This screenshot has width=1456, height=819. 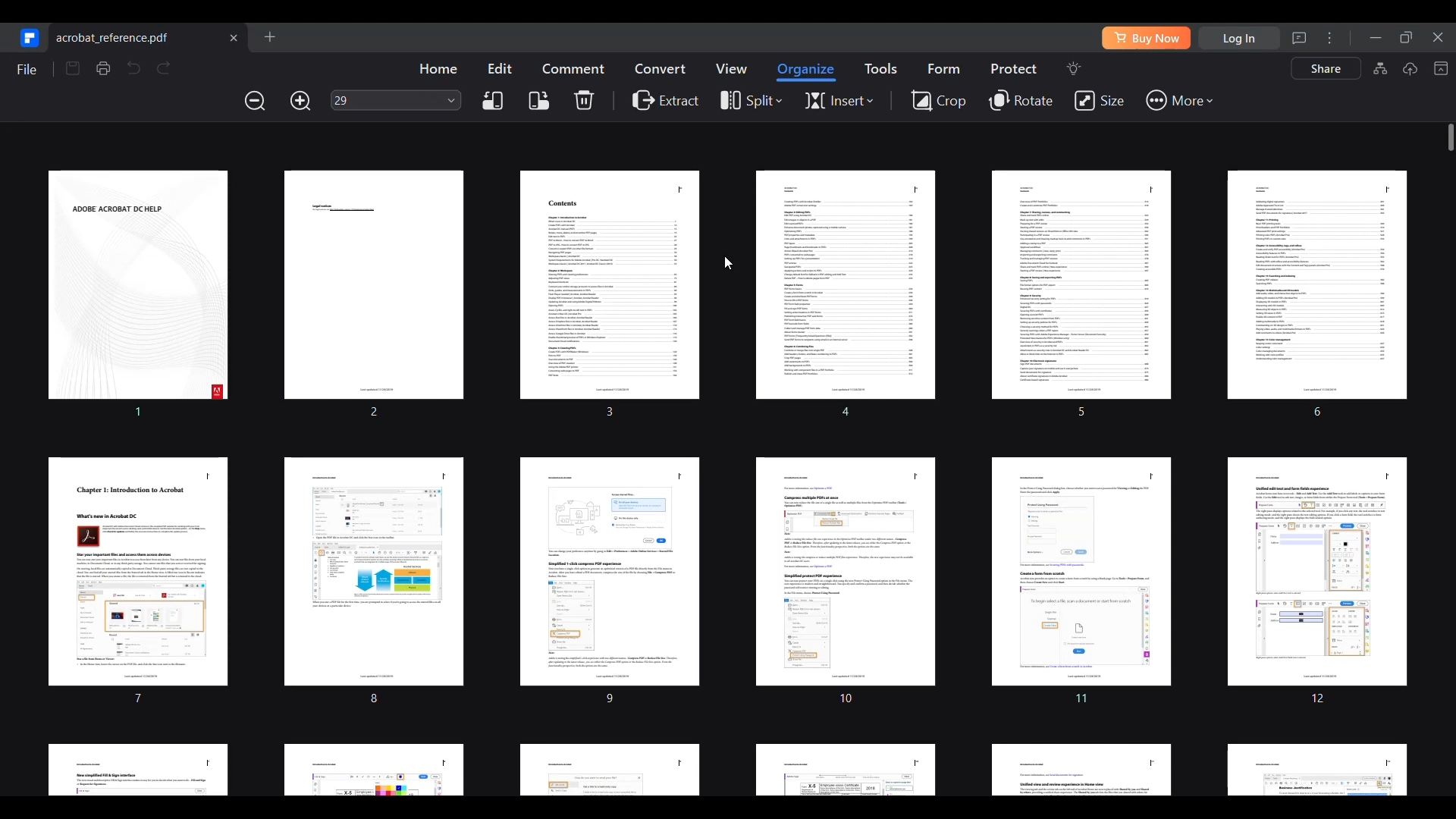 What do you see at coordinates (26, 69) in the screenshot?
I see `File` at bounding box center [26, 69].